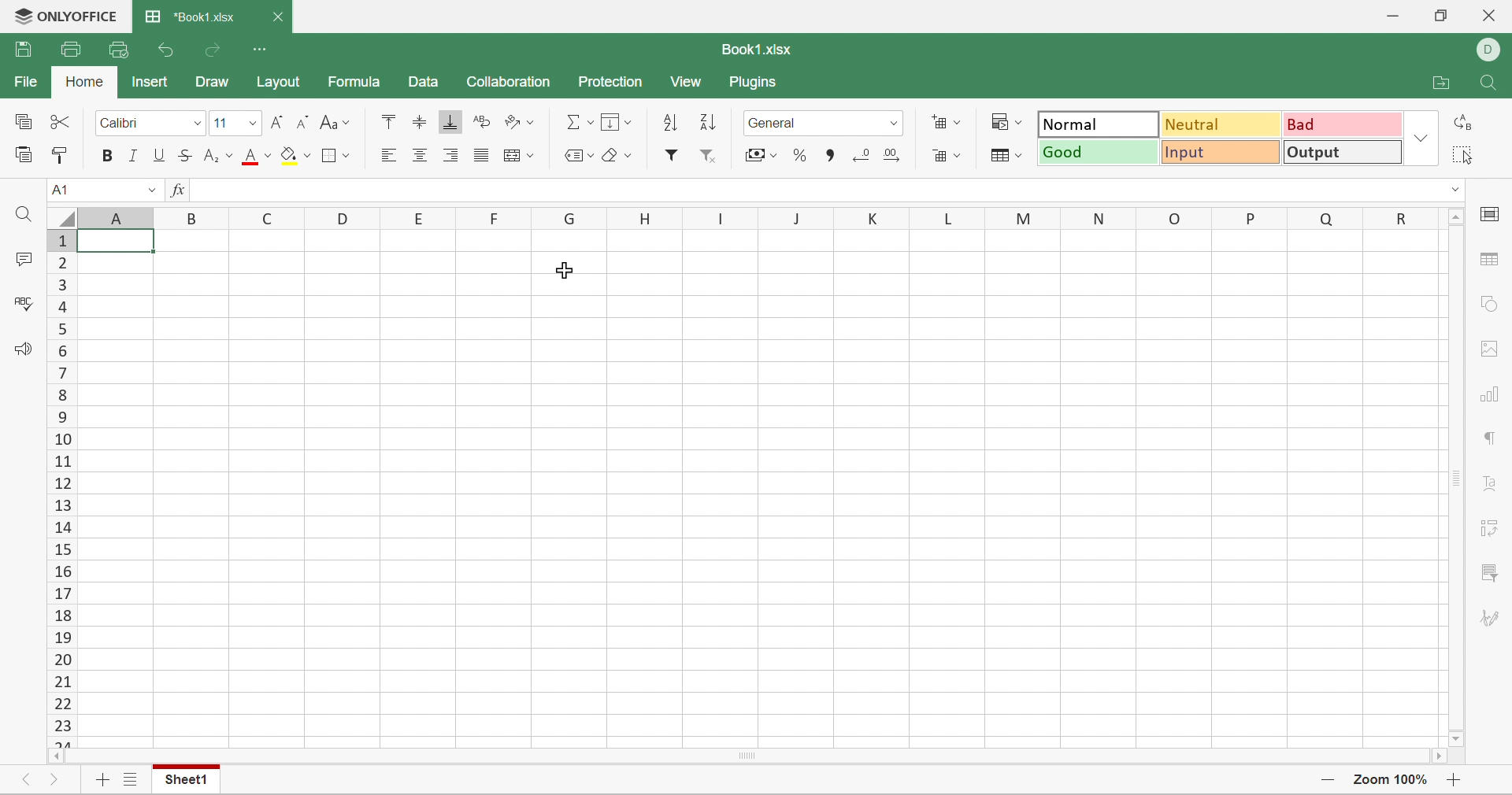 This screenshot has width=1512, height=795. What do you see at coordinates (21, 349) in the screenshot?
I see `Feedback & Support` at bounding box center [21, 349].